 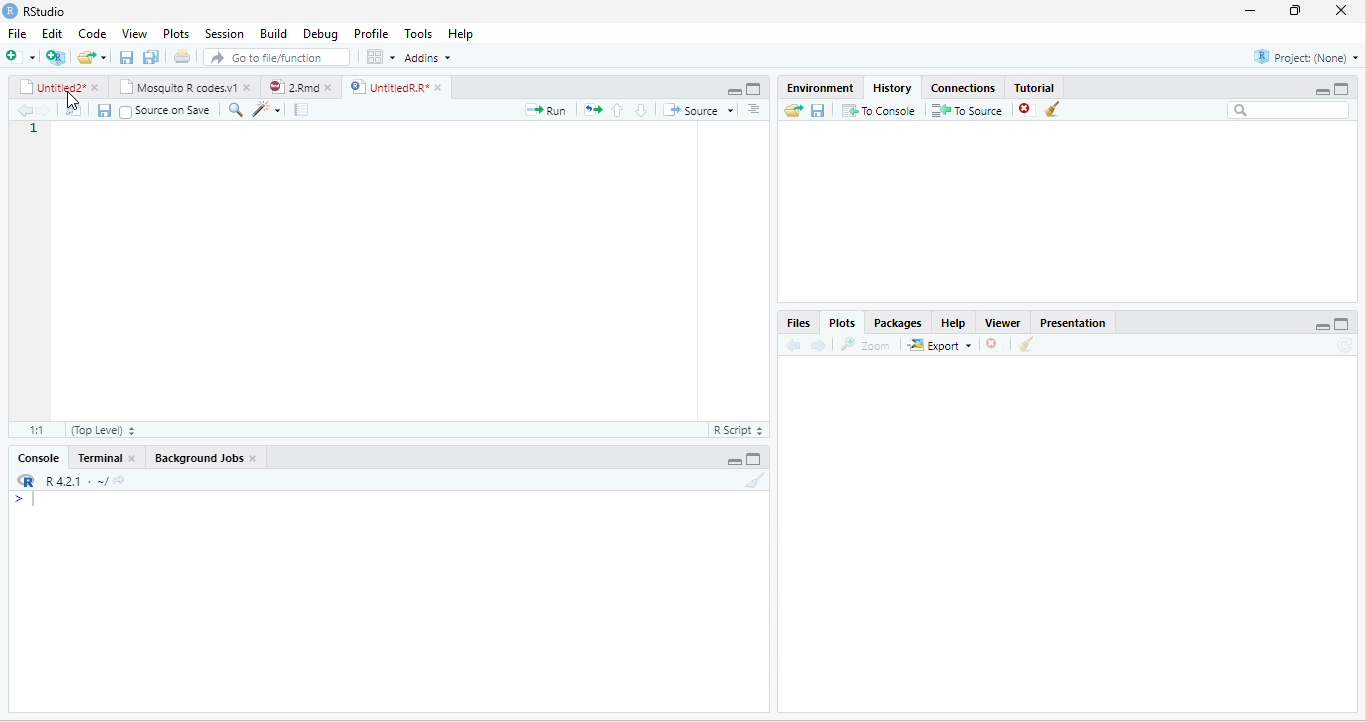 What do you see at coordinates (69, 110) in the screenshot?
I see `files` at bounding box center [69, 110].